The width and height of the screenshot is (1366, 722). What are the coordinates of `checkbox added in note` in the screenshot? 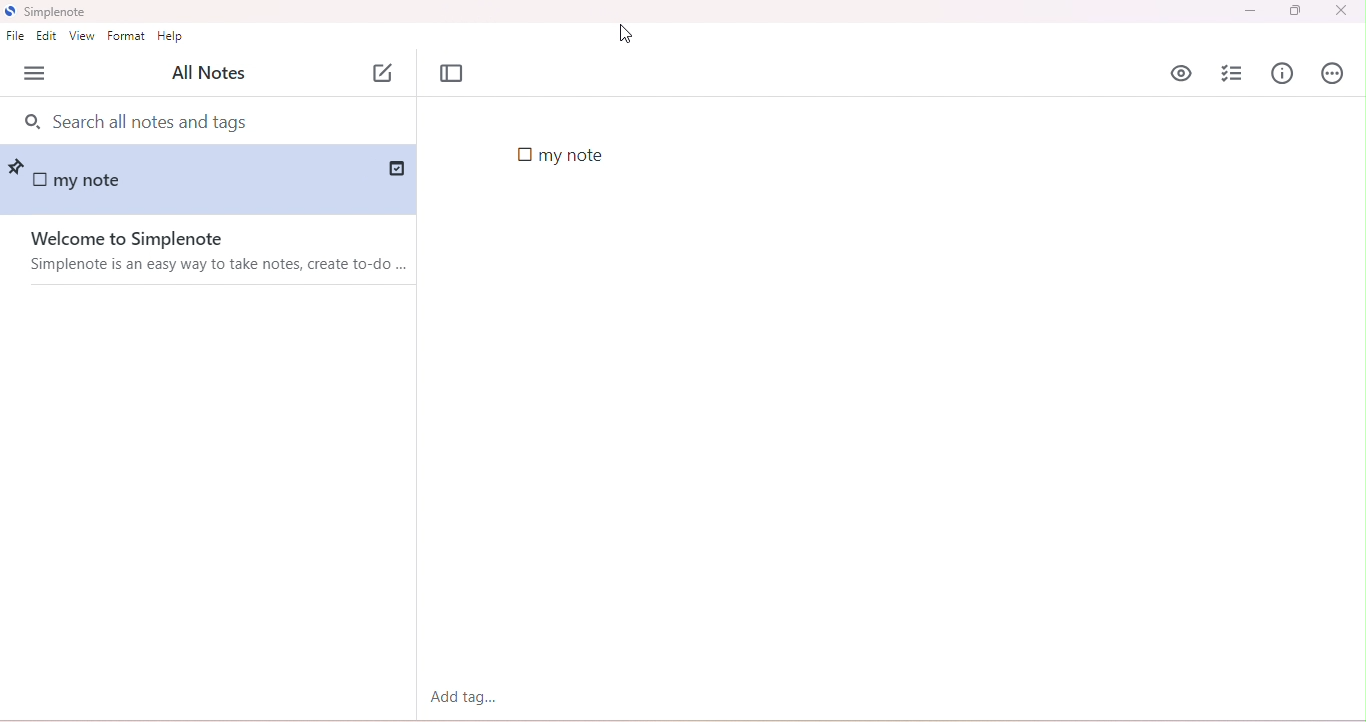 It's located at (564, 157).